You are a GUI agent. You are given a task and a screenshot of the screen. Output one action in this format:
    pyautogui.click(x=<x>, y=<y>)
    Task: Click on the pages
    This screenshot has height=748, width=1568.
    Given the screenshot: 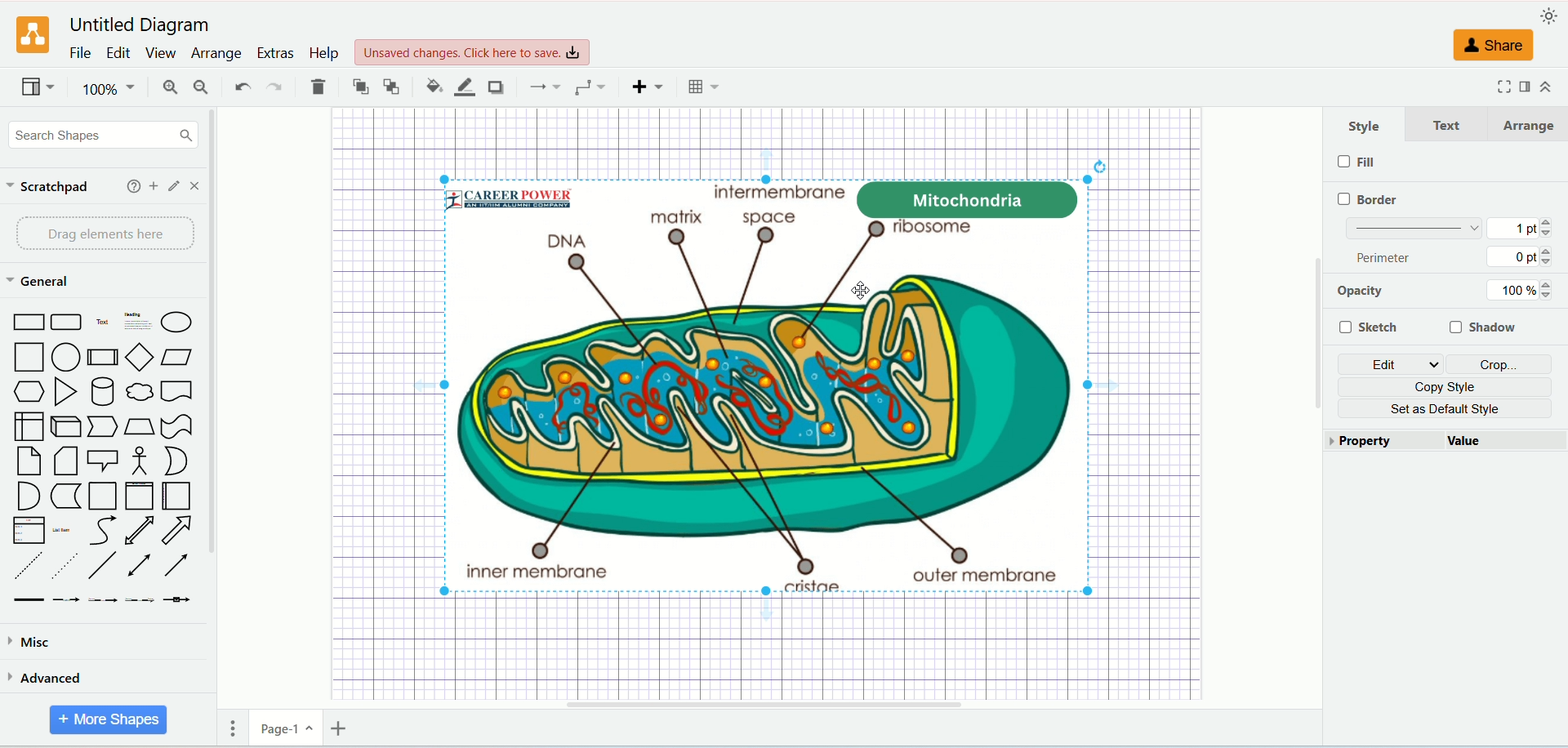 What is the action you would take?
    pyautogui.click(x=238, y=727)
    